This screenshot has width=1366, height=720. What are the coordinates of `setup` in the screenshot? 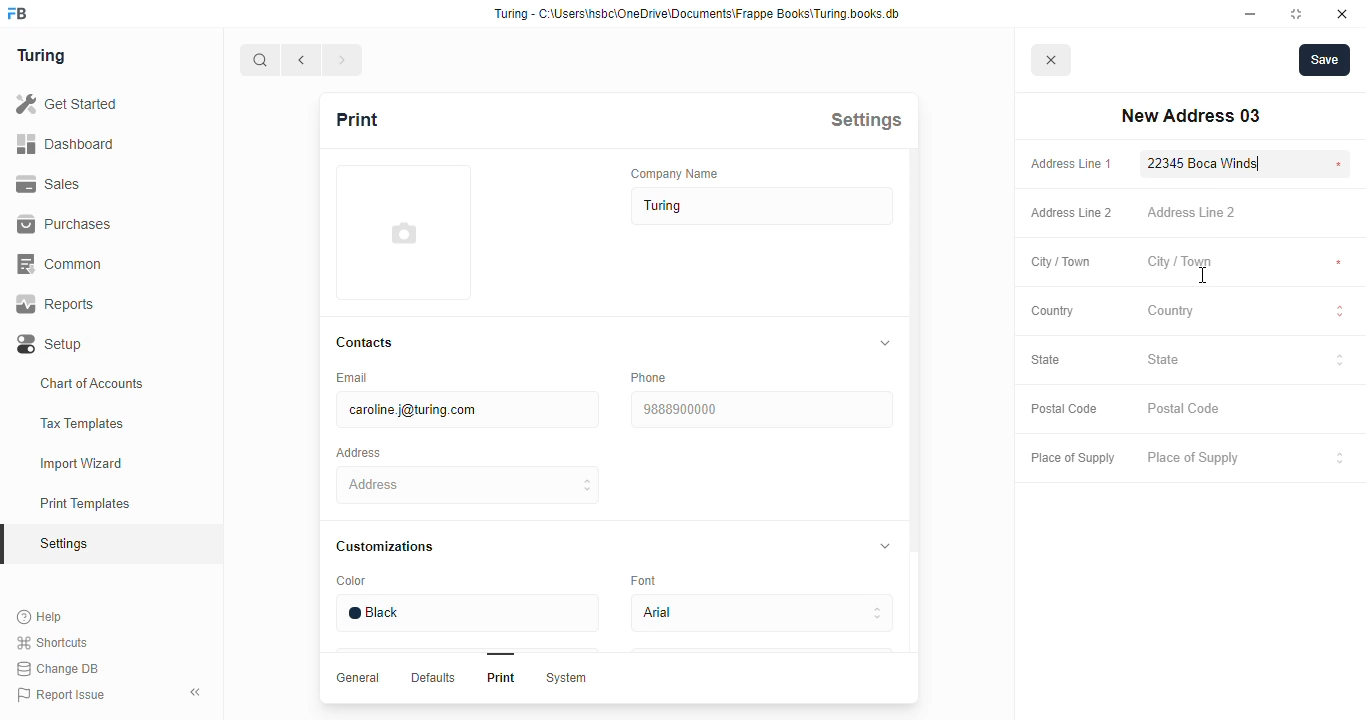 It's located at (51, 345).